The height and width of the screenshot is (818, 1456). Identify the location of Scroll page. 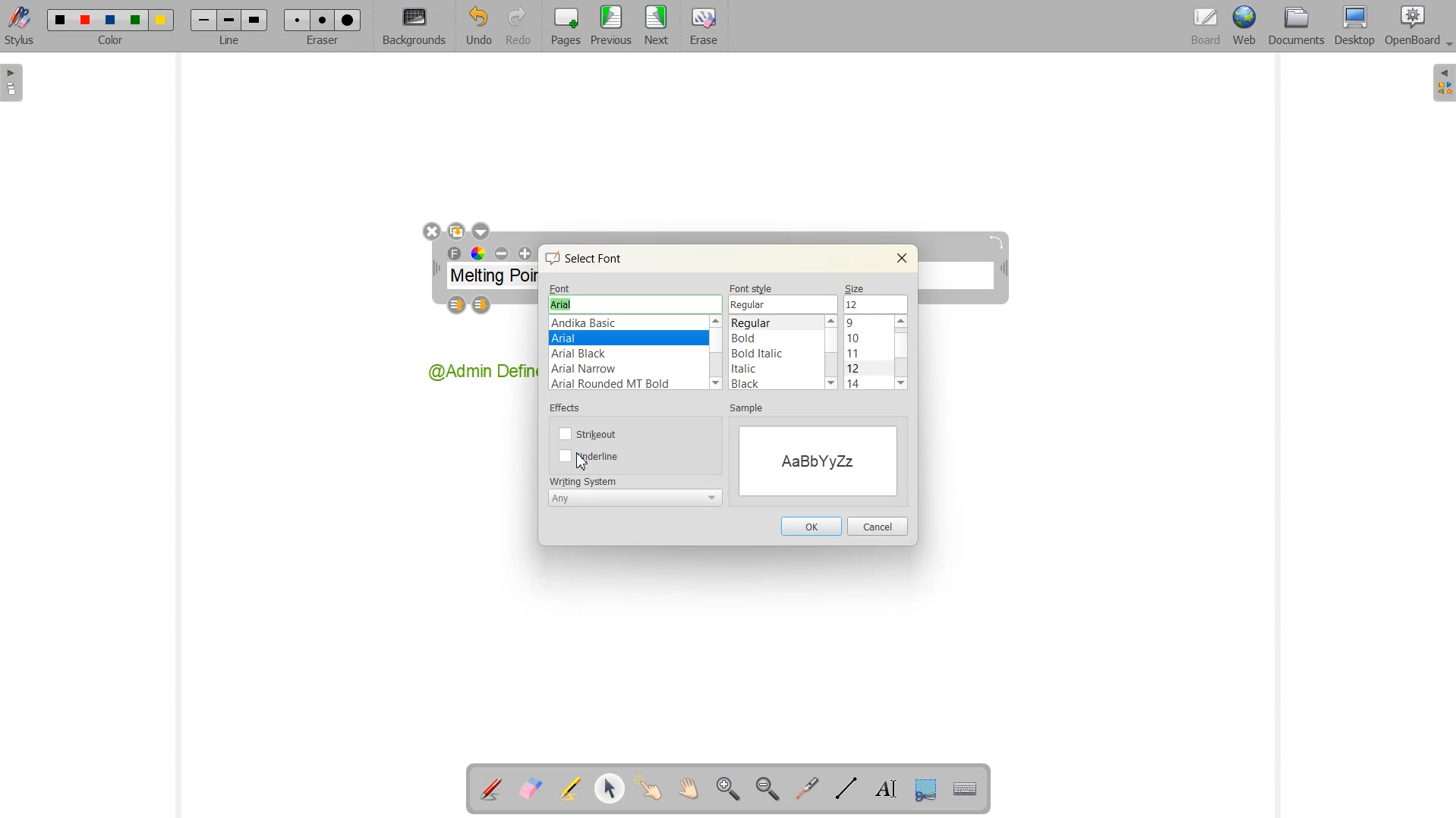
(686, 789).